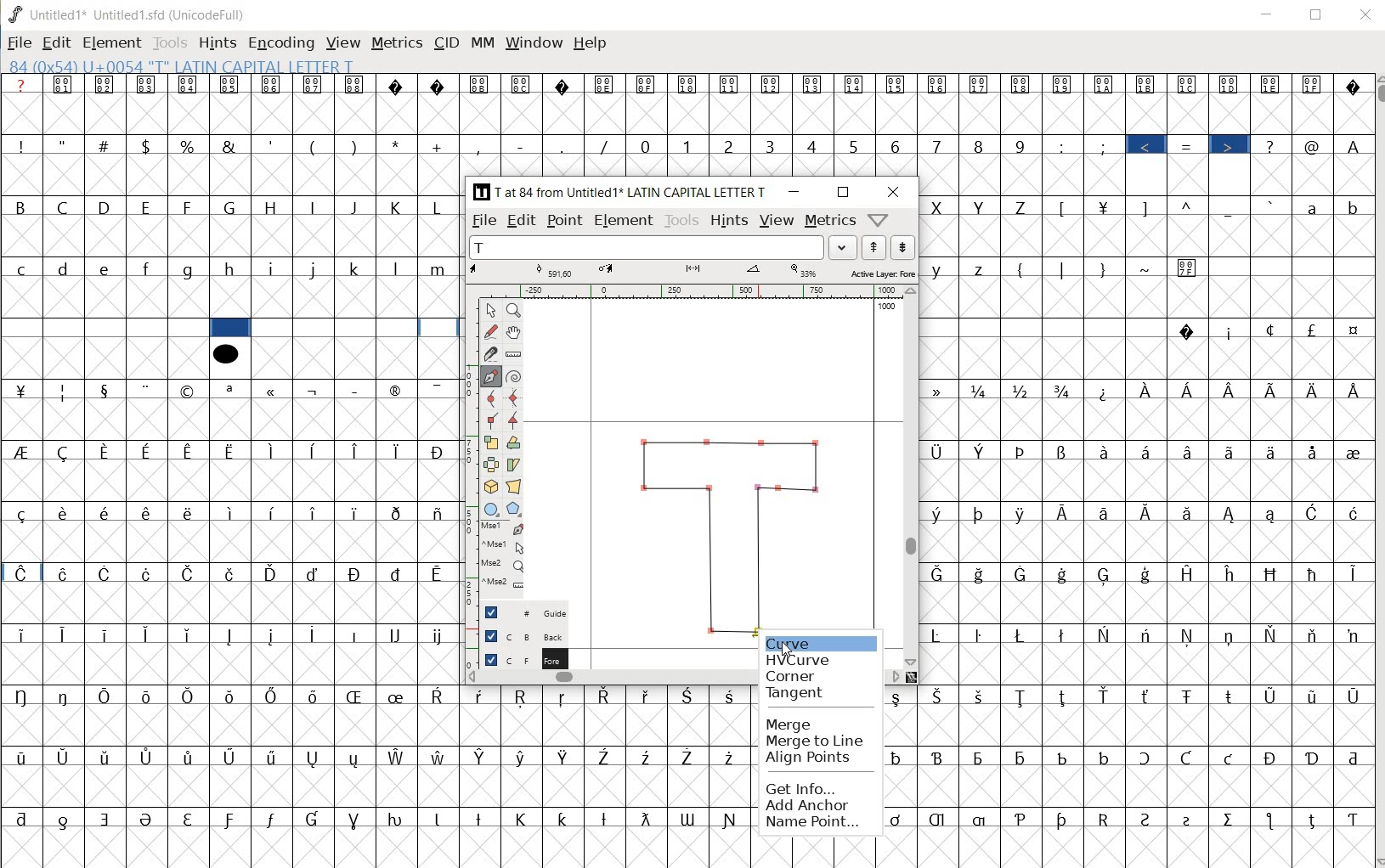  Describe the element at coordinates (1192, 817) in the screenshot. I see `Symbol` at that location.